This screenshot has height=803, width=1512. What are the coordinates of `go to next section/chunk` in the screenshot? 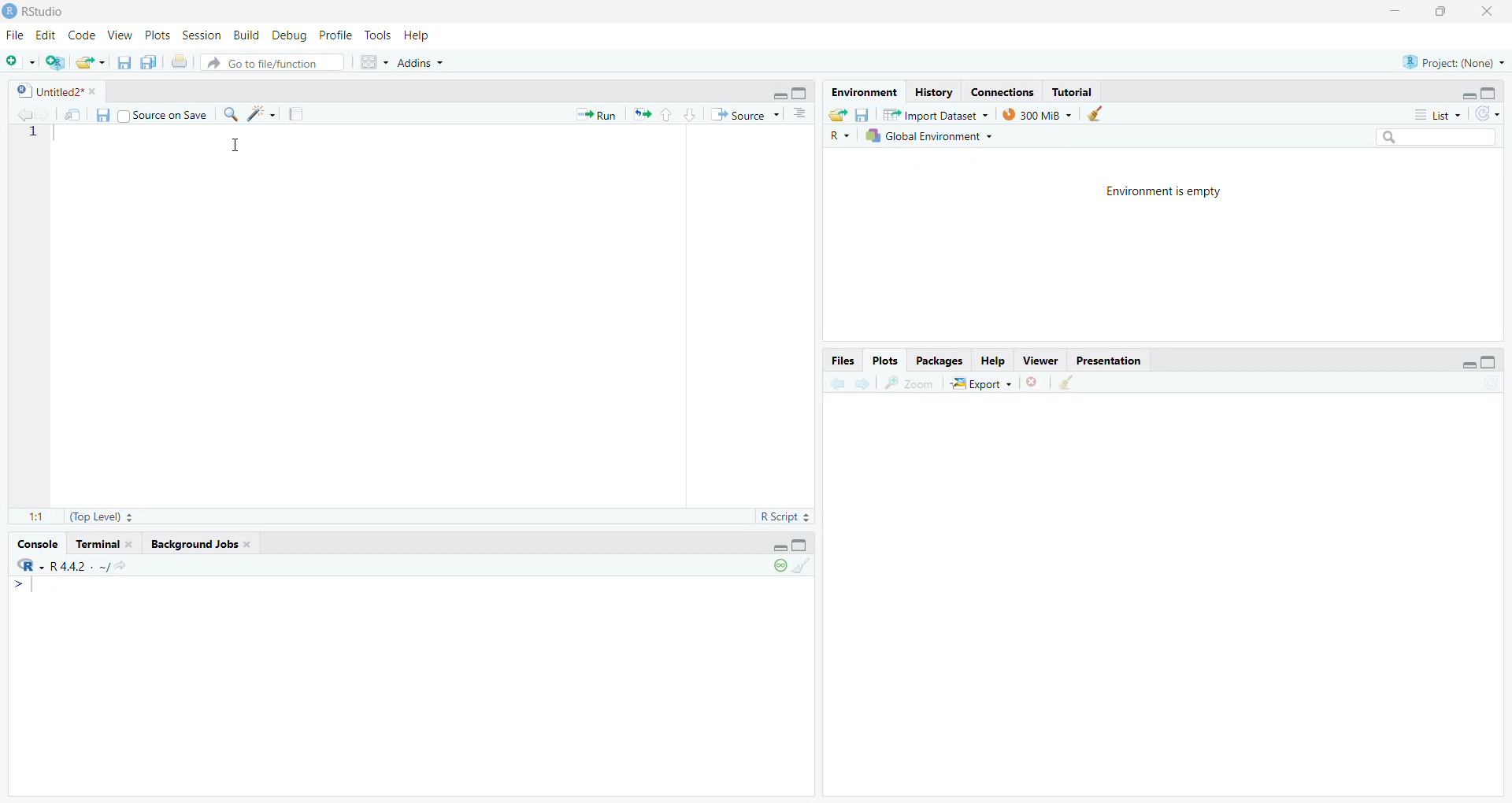 It's located at (688, 116).